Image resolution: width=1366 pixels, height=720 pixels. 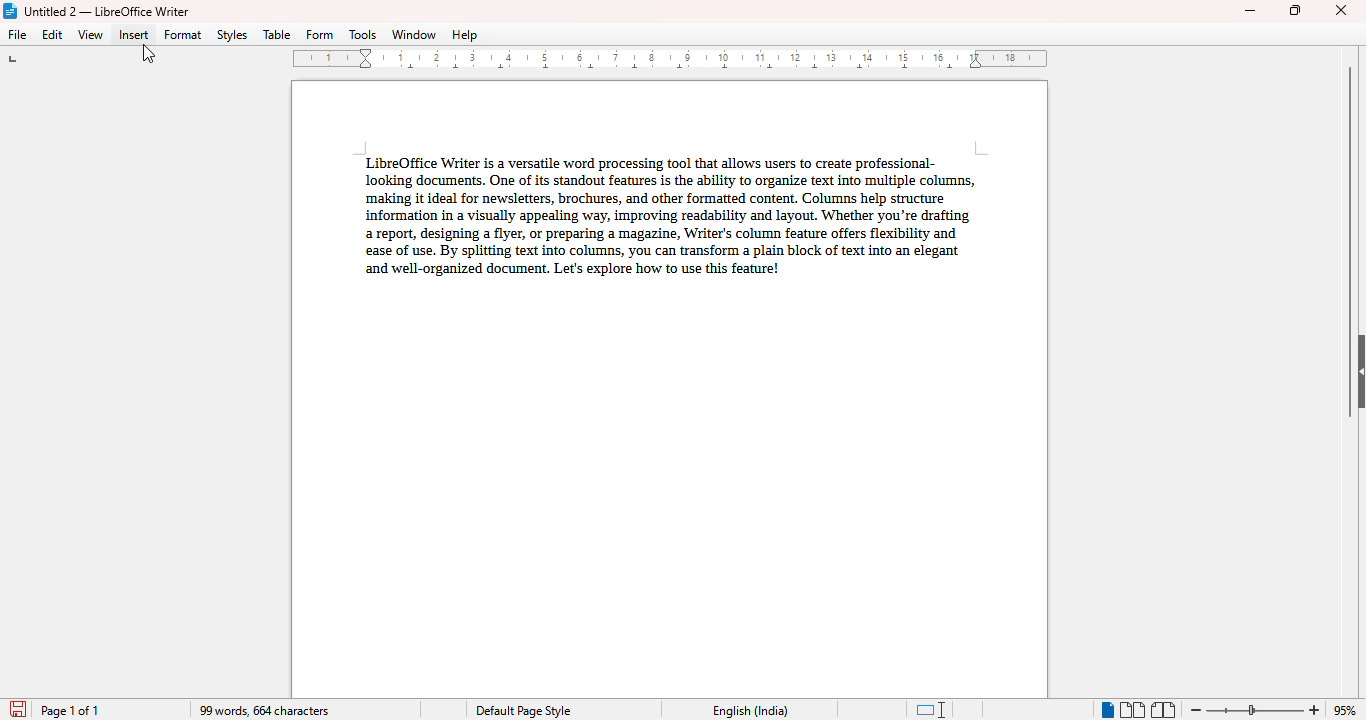 I want to click on help, so click(x=464, y=35).